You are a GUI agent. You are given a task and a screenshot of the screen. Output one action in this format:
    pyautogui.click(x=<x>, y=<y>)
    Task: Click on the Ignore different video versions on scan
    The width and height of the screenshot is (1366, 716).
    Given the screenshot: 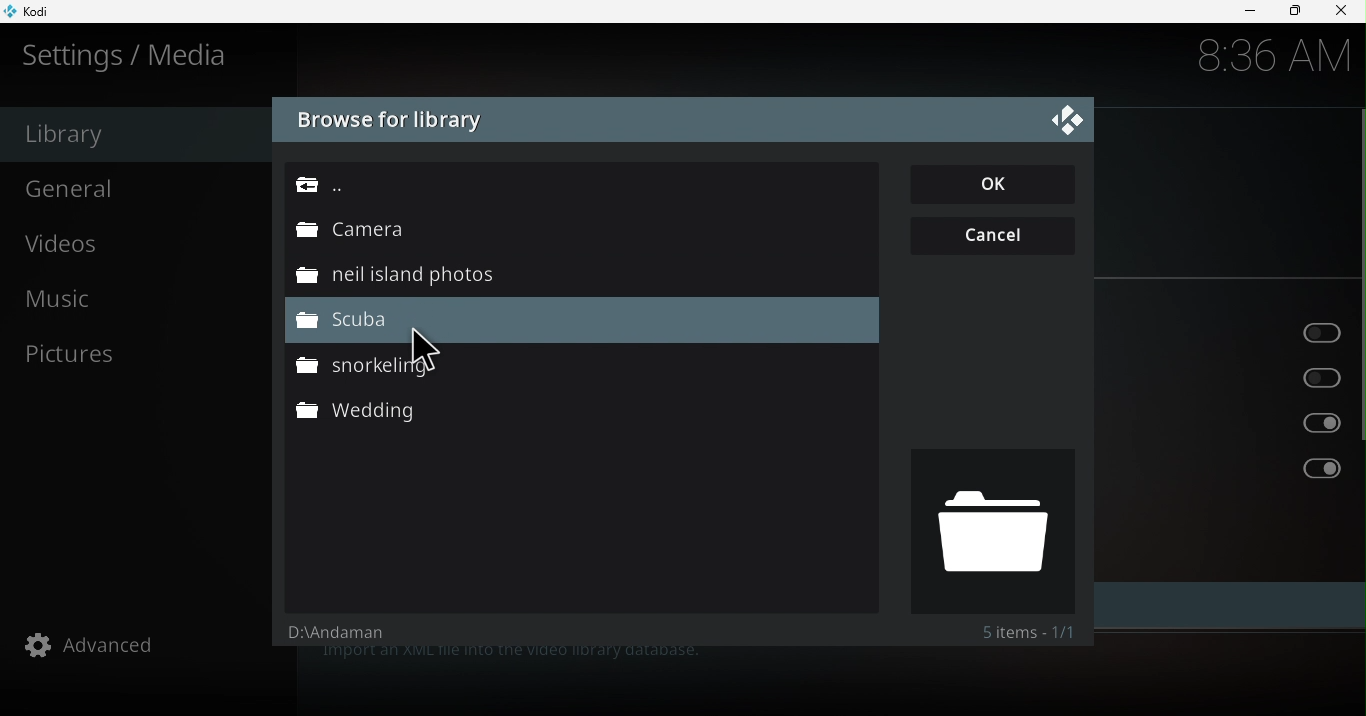 What is the action you would take?
    pyautogui.click(x=1233, y=423)
    